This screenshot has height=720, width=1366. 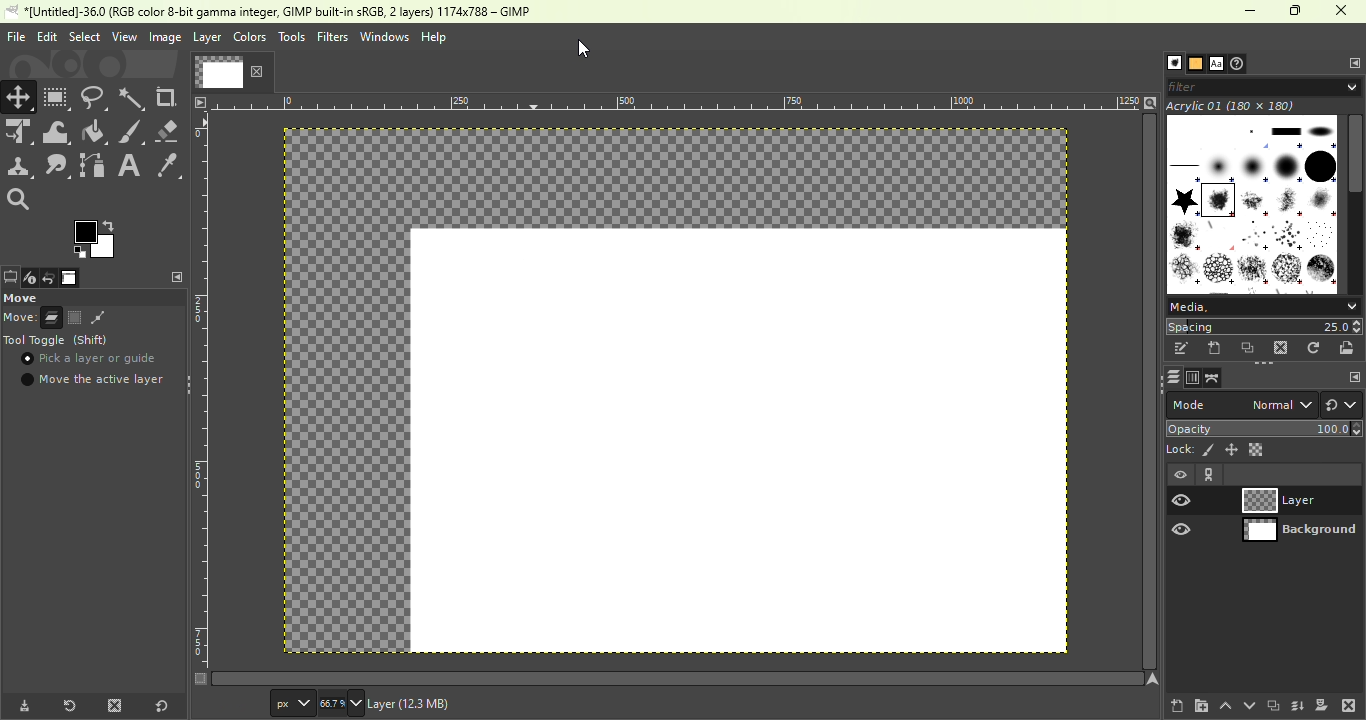 I want to click on Delete the brushes, so click(x=1283, y=348).